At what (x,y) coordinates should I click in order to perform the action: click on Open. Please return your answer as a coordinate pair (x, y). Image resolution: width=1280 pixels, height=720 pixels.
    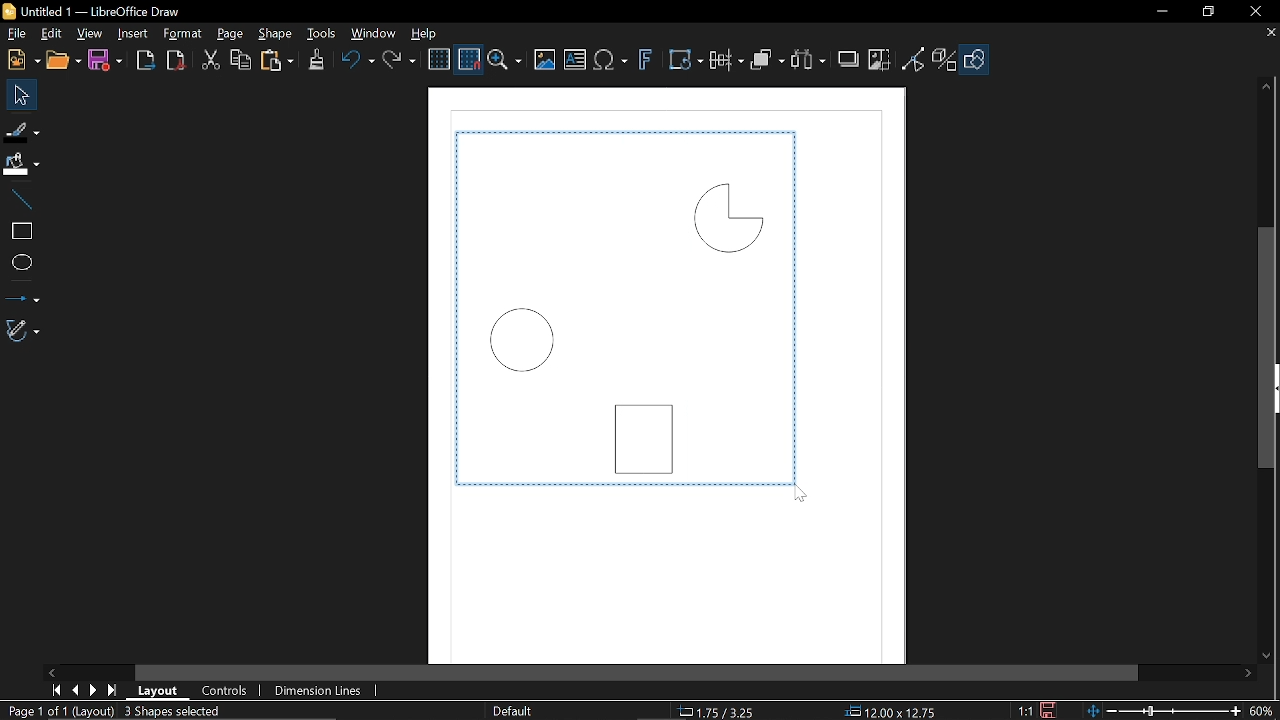
    Looking at the image, I should click on (62, 61).